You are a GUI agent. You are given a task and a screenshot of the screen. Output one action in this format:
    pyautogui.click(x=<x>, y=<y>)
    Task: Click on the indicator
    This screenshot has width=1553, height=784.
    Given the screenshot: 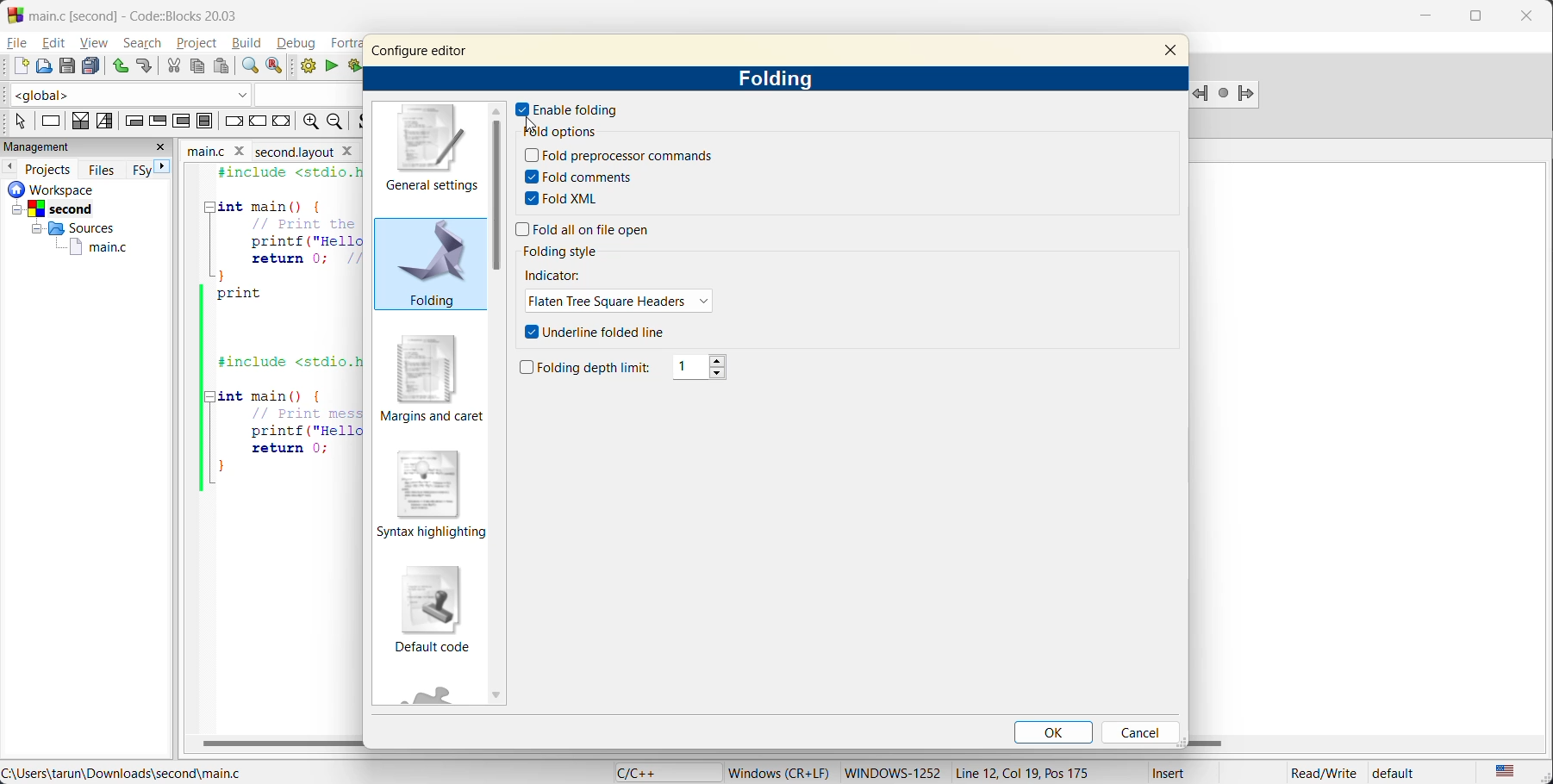 What is the action you would take?
    pyautogui.click(x=562, y=275)
    